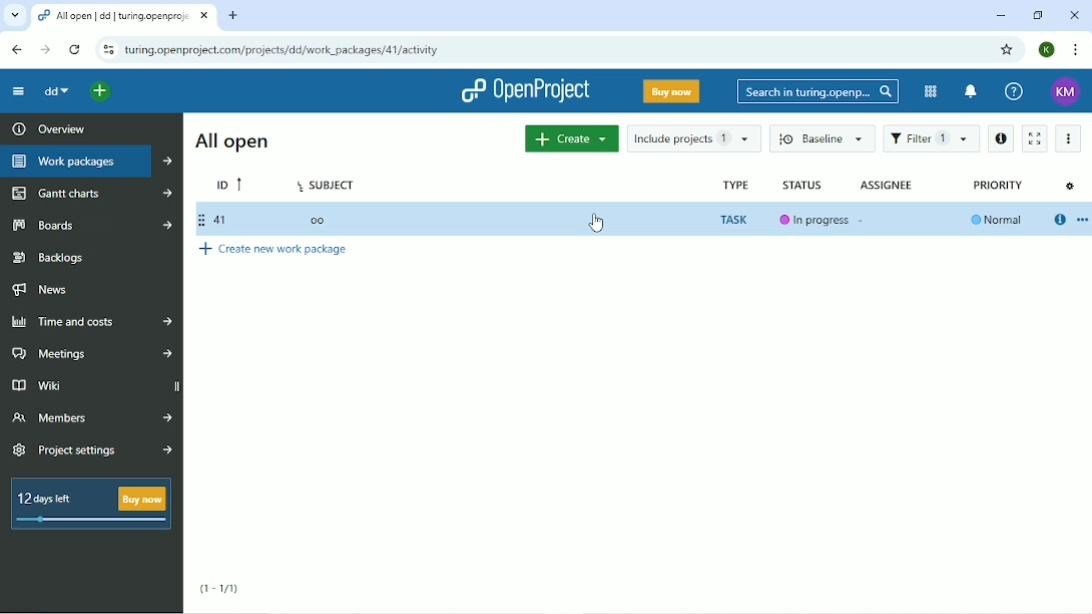 Image resolution: width=1092 pixels, height=614 pixels. What do you see at coordinates (814, 220) in the screenshot?
I see `In progress` at bounding box center [814, 220].